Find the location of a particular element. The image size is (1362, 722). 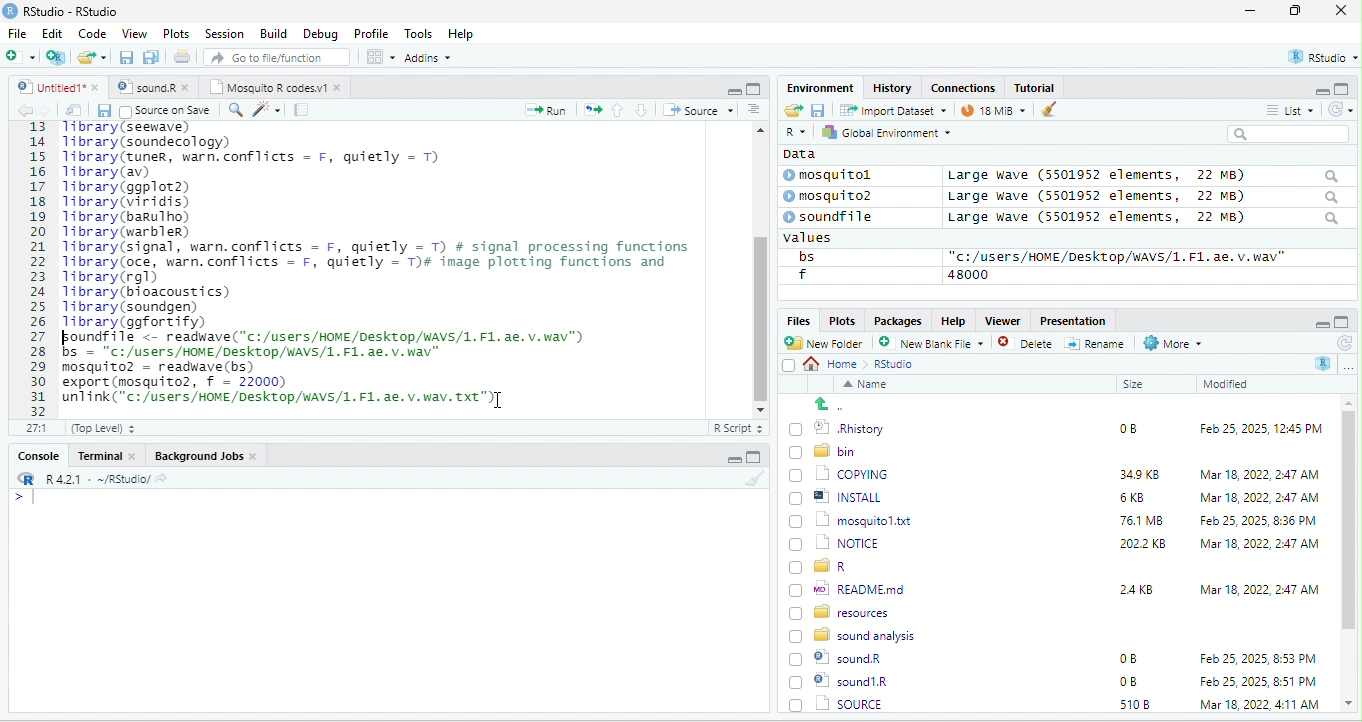

Feb 25, 2025, 12:45 PM is located at coordinates (1261, 431).